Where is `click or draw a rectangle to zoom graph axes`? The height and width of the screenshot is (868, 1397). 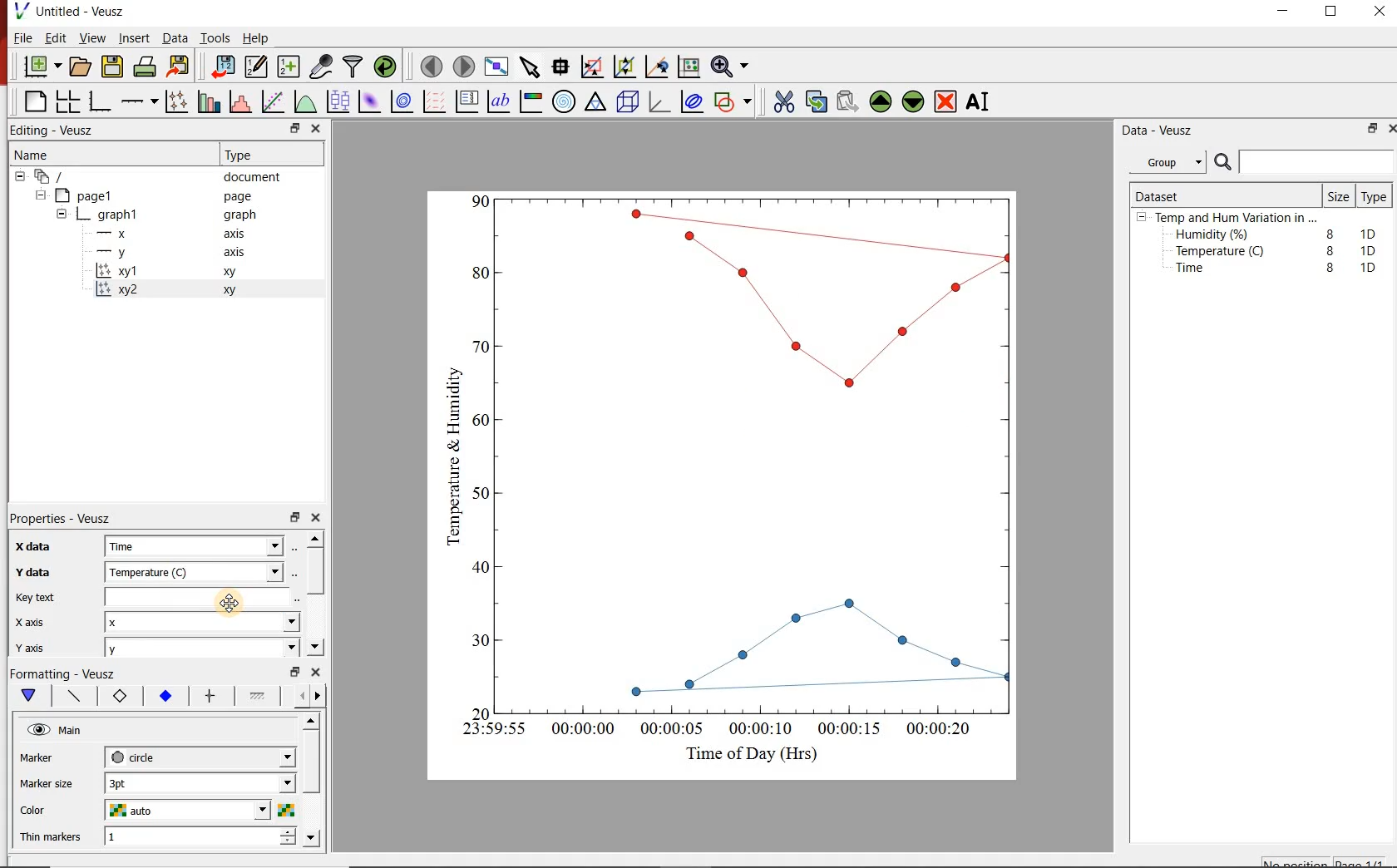 click or draw a rectangle to zoom graph axes is located at coordinates (595, 67).